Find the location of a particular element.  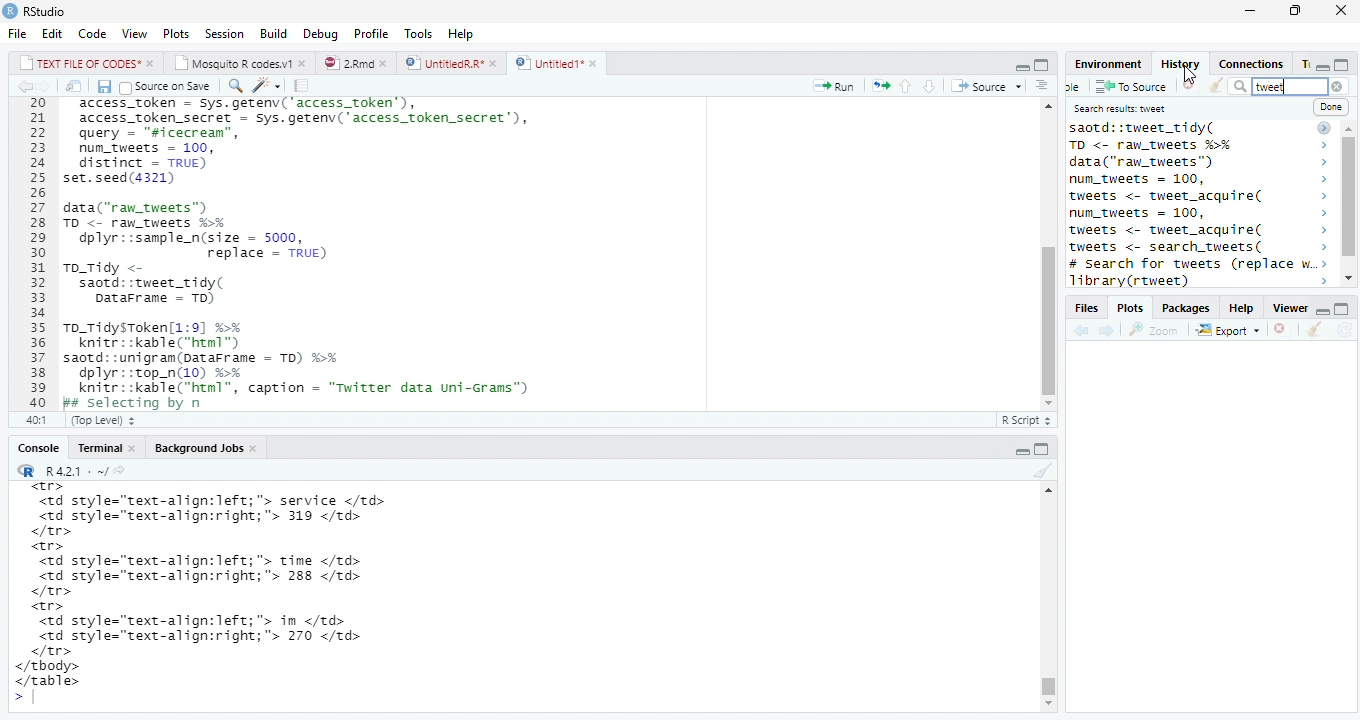

up/down source is located at coordinates (929, 85).